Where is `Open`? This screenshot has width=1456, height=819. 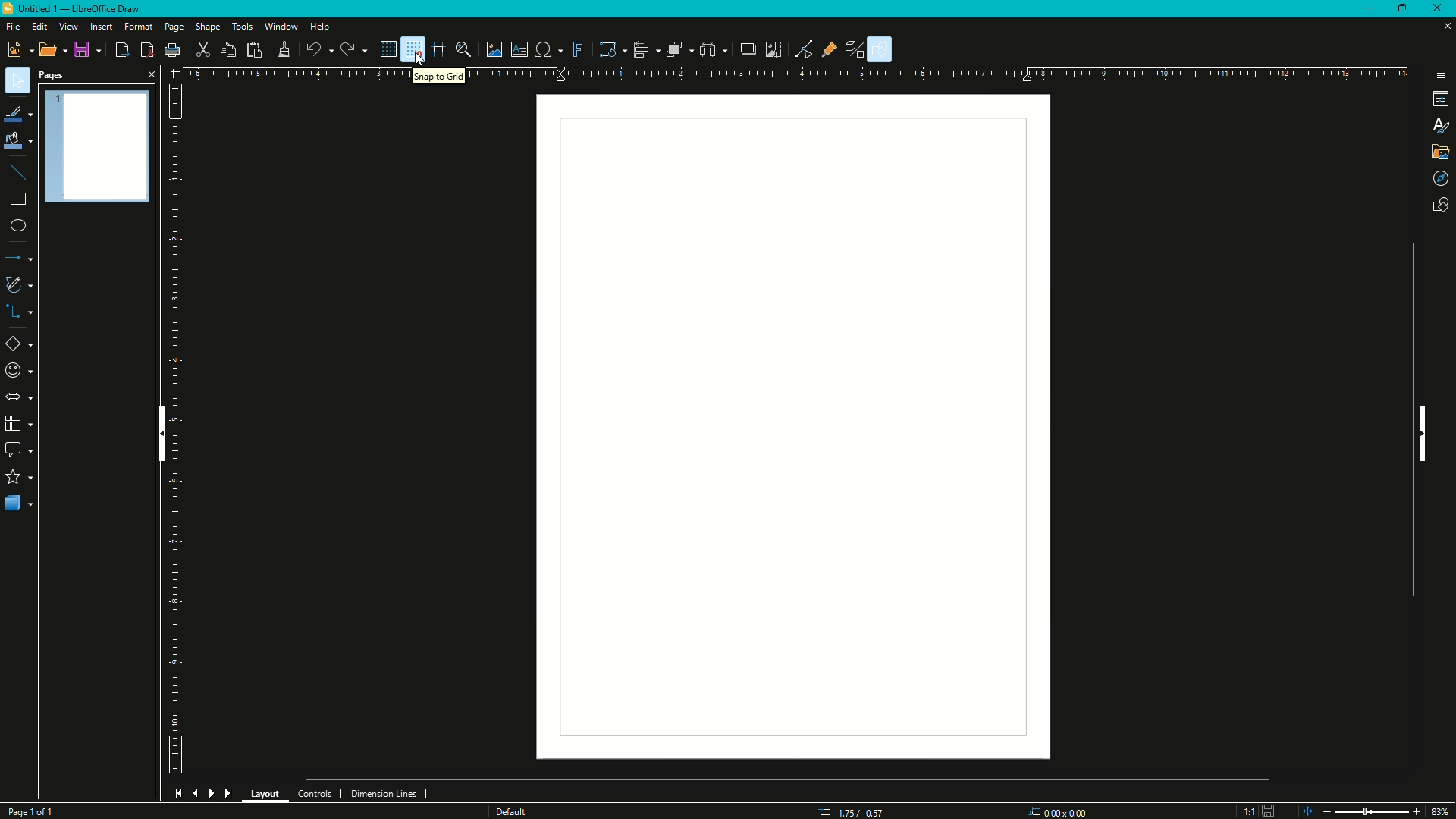 Open is located at coordinates (49, 49).